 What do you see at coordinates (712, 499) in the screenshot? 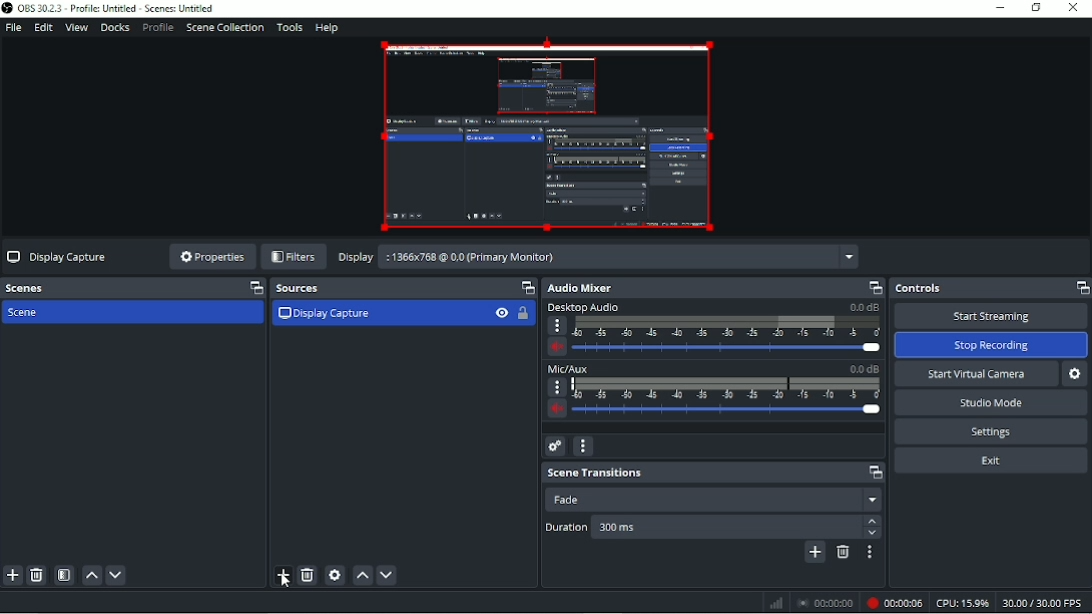
I see `Fade` at bounding box center [712, 499].